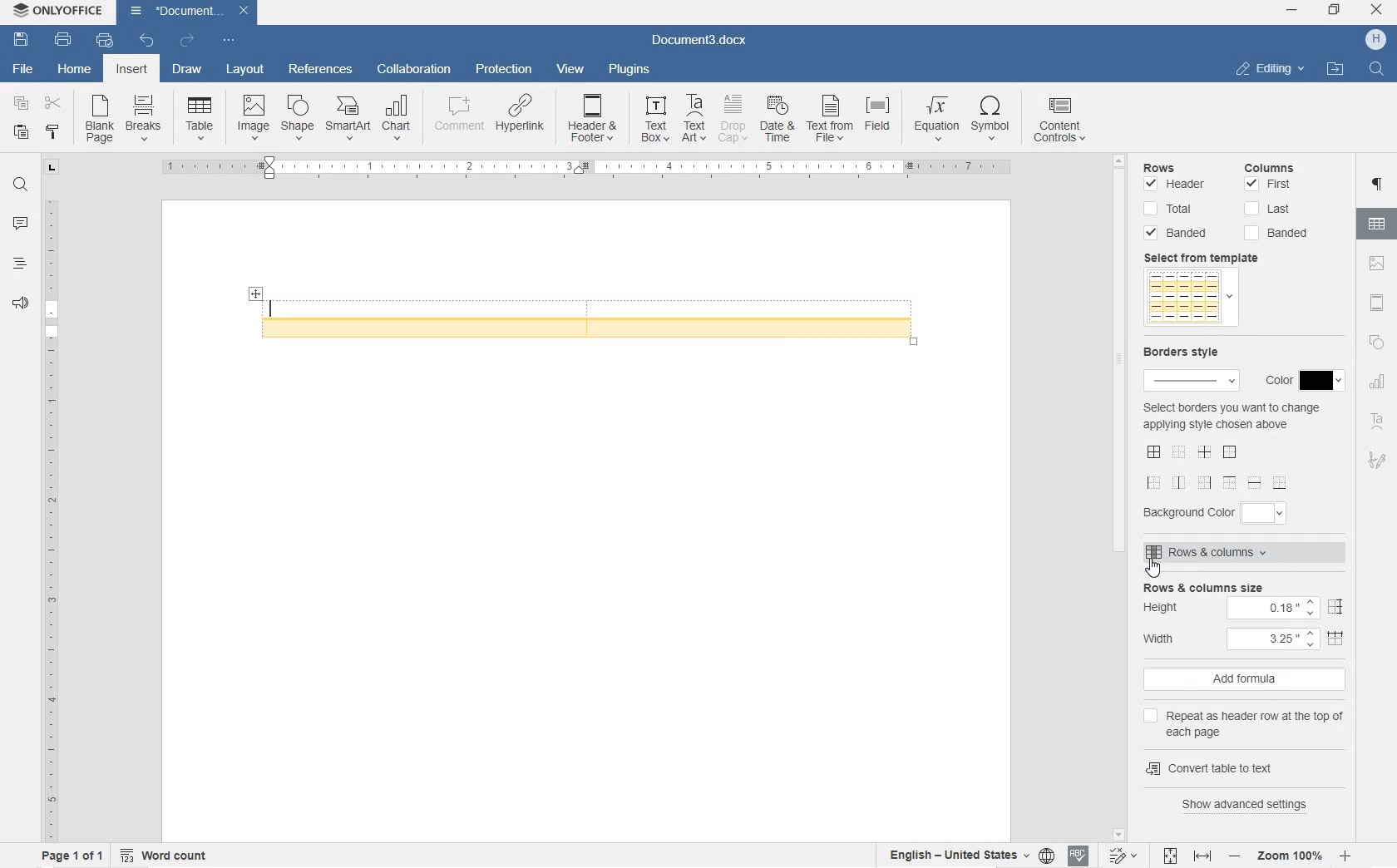 Image resolution: width=1397 pixels, height=868 pixels. I want to click on Banded, so click(1281, 233).